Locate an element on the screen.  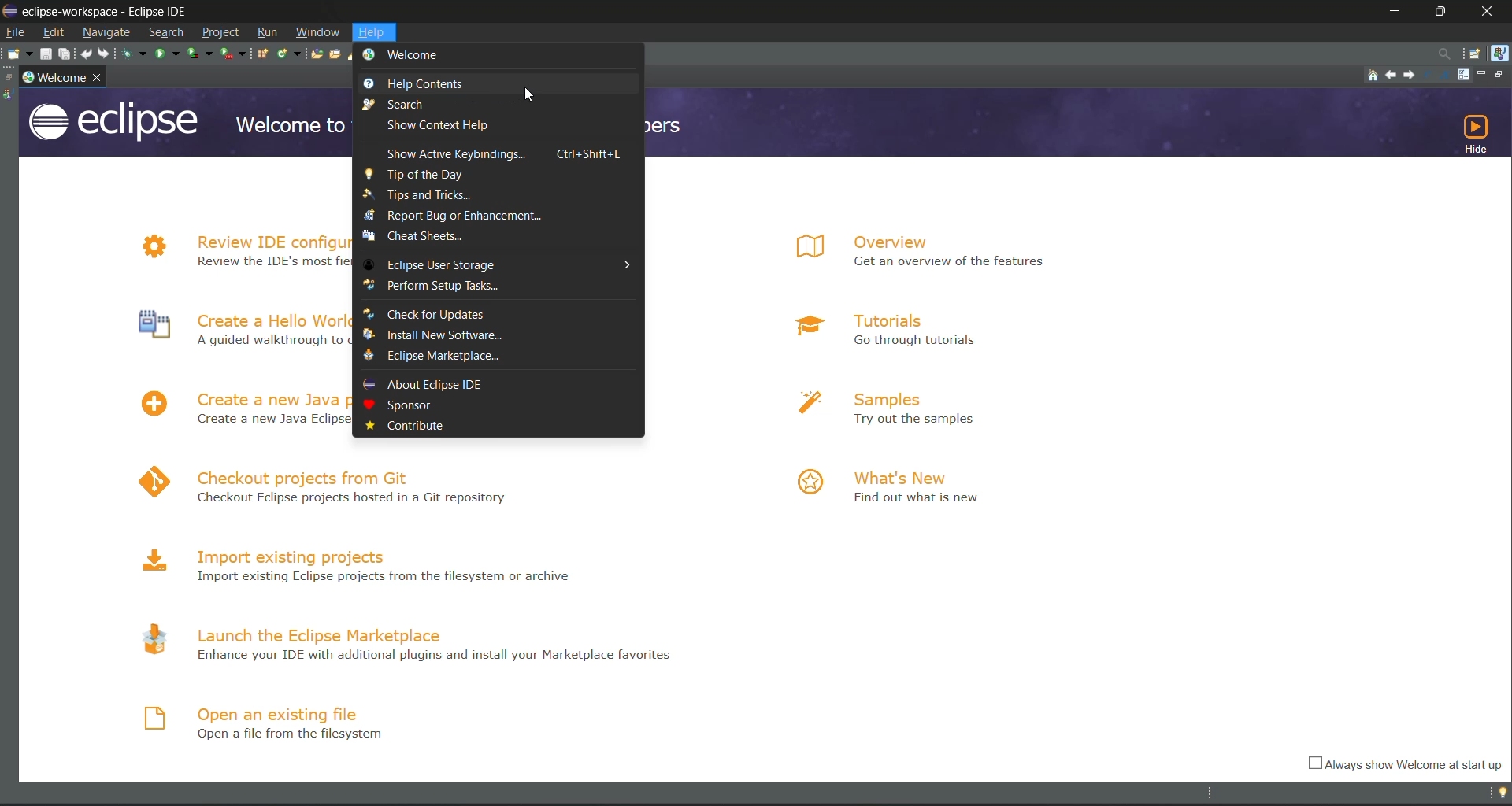
tutorials is located at coordinates (892, 320).